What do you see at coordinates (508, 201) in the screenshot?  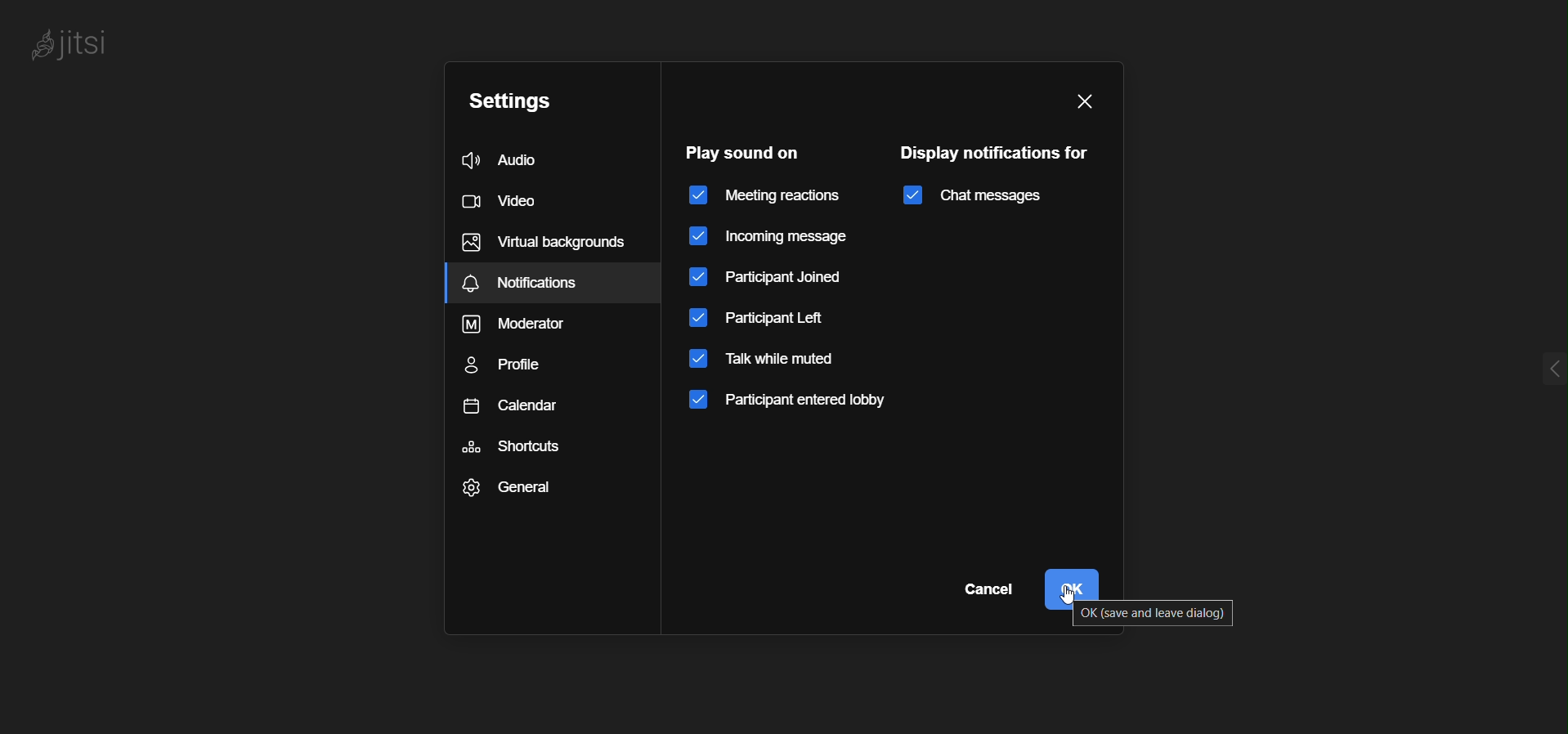 I see `video` at bounding box center [508, 201].